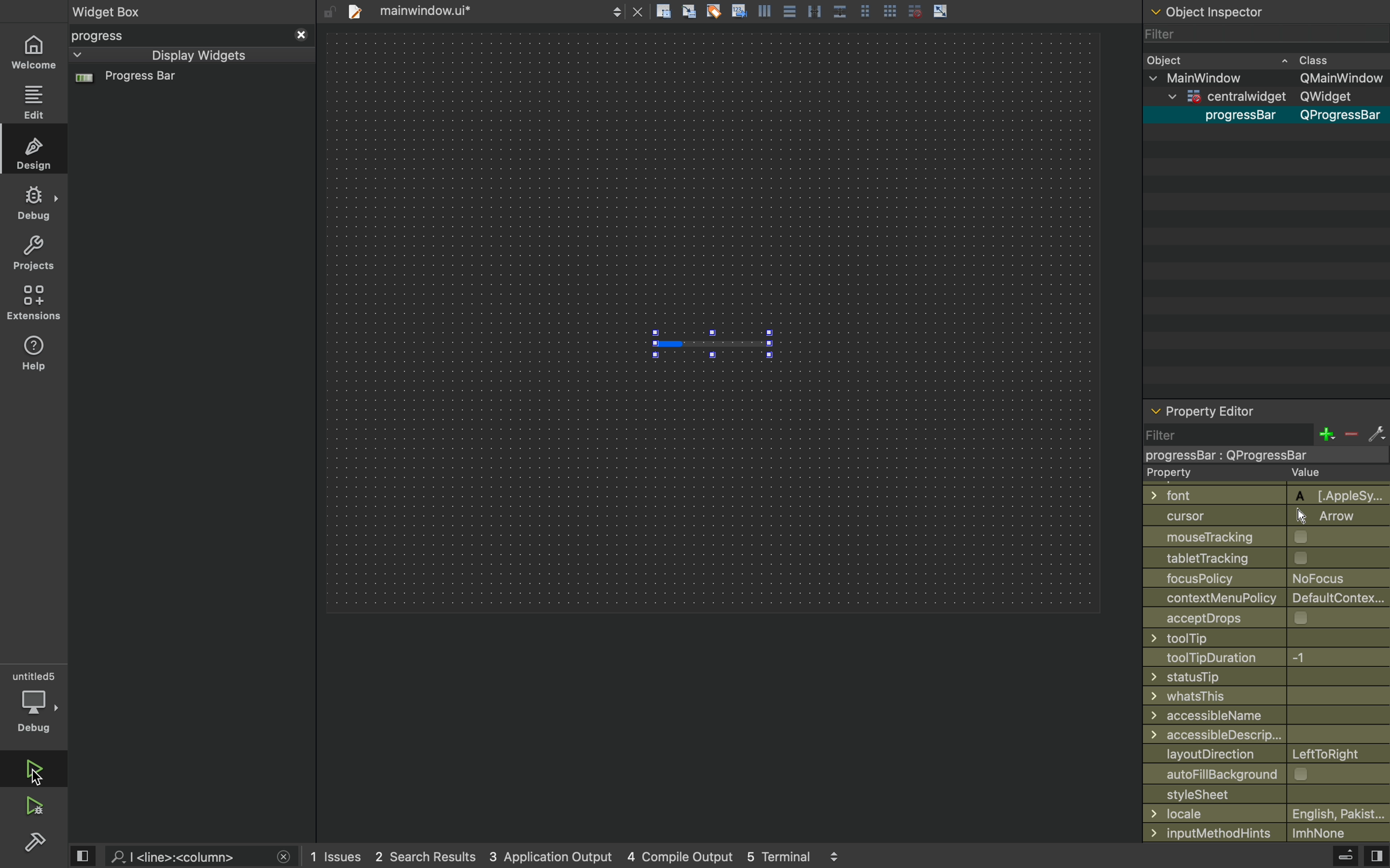  Describe the element at coordinates (33, 53) in the screenshot. I see `home` at that location.